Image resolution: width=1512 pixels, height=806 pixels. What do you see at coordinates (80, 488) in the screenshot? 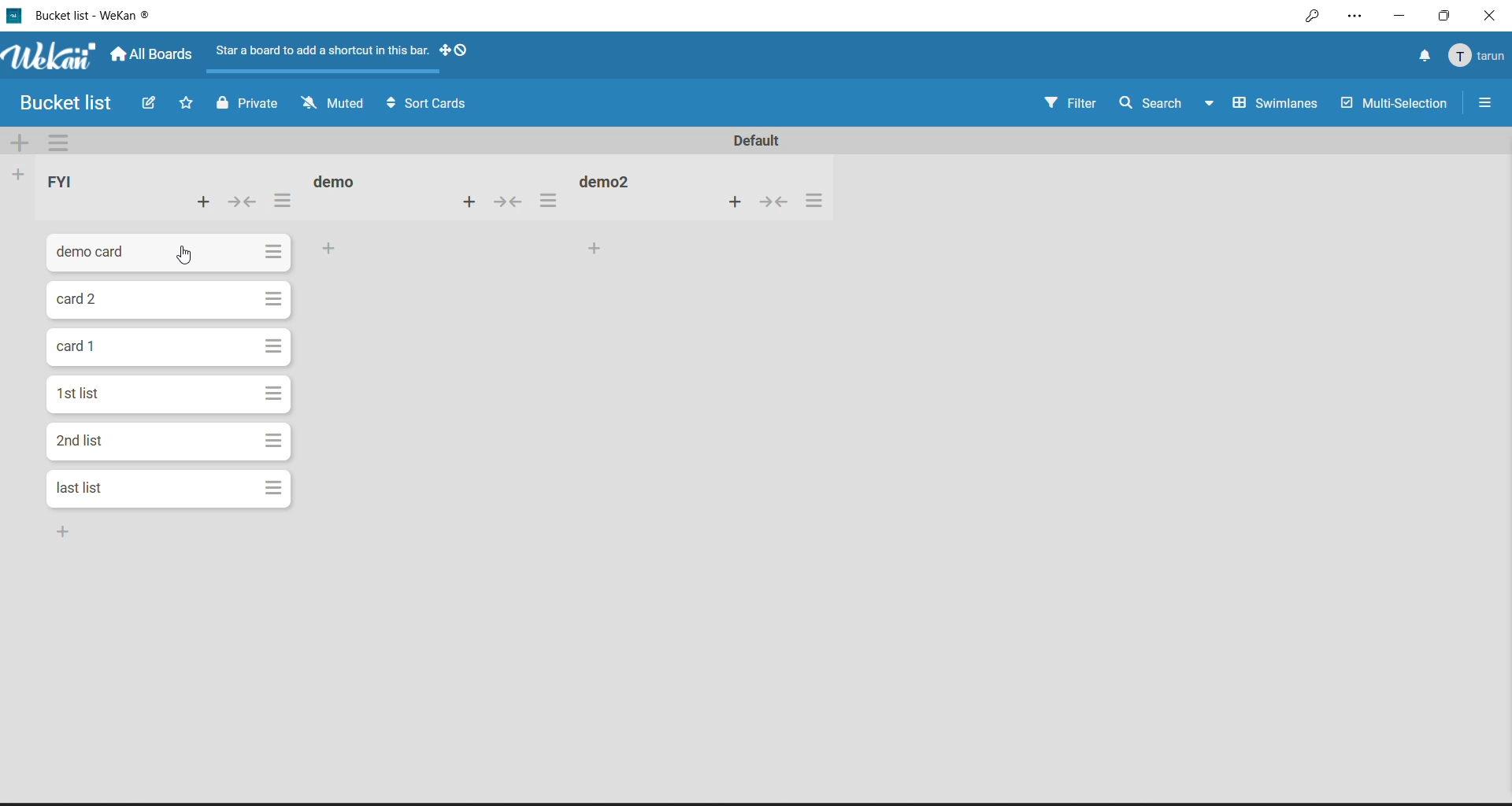
I see `card title` at bounding box center [80, 488].